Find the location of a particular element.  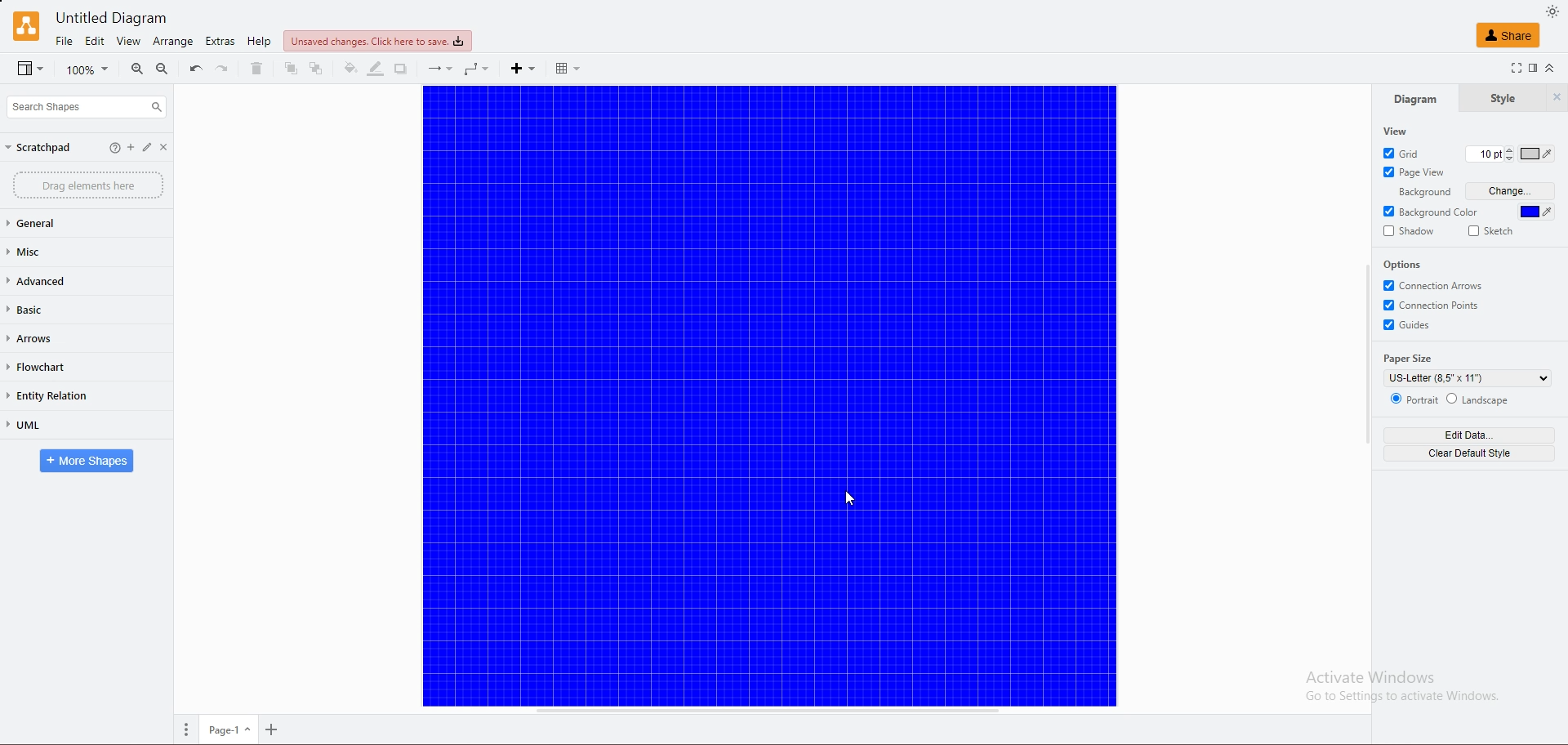

basic is located at coordinates (63, 310).